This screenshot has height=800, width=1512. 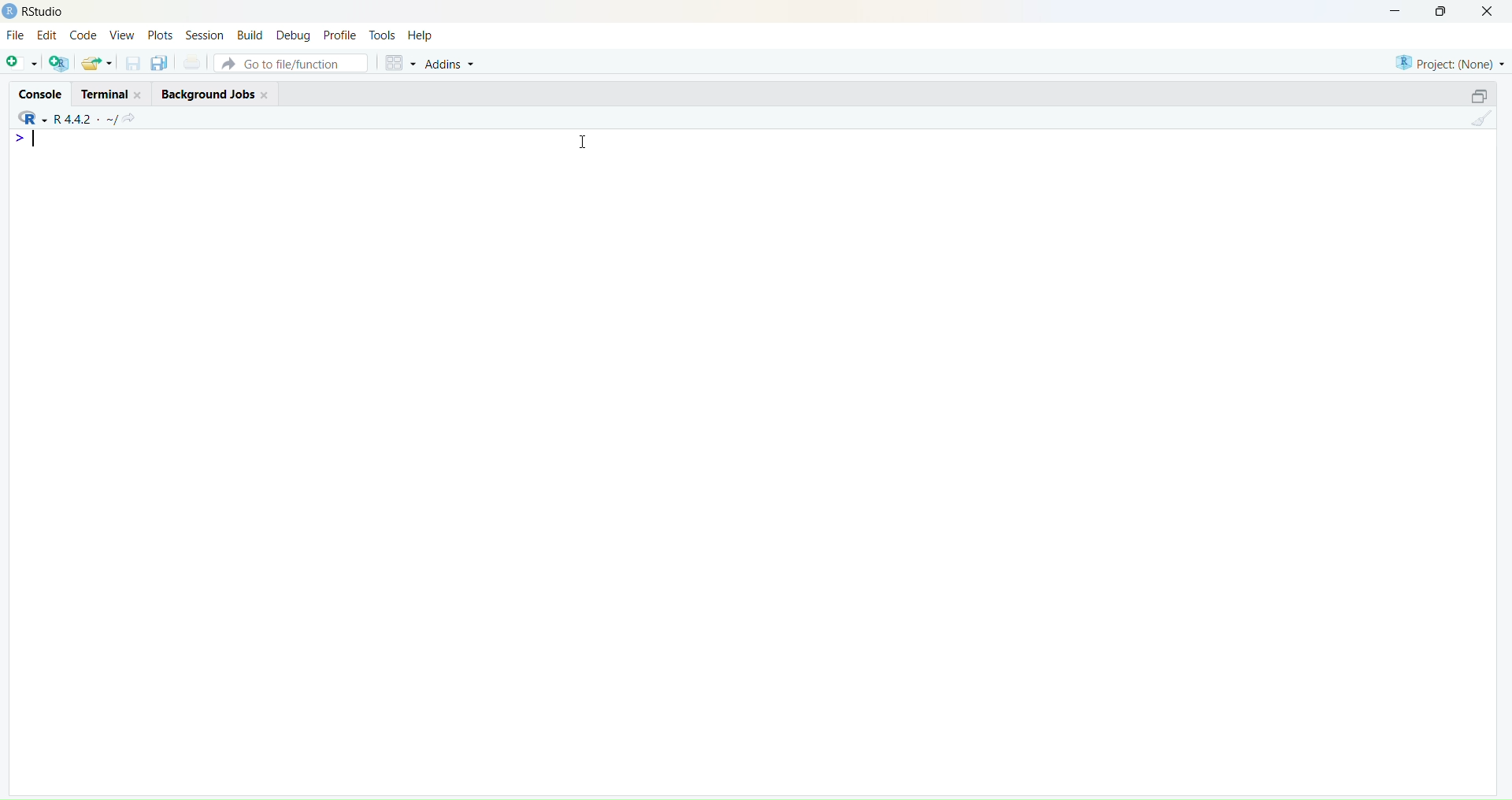 I want to click on RStudio, so click(x=46, y=12).